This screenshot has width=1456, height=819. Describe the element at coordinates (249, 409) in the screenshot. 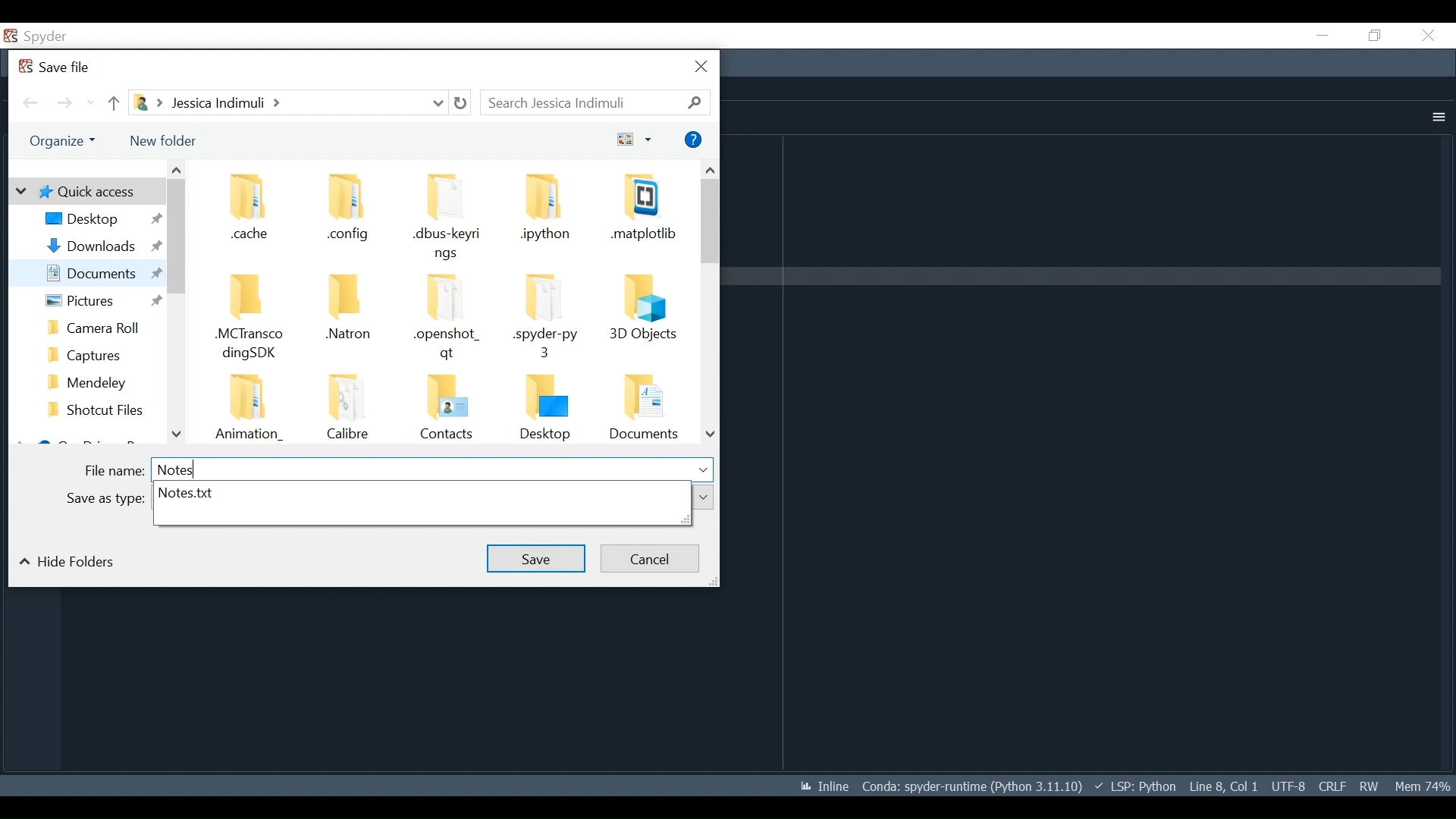

I see `Folder` at that location.